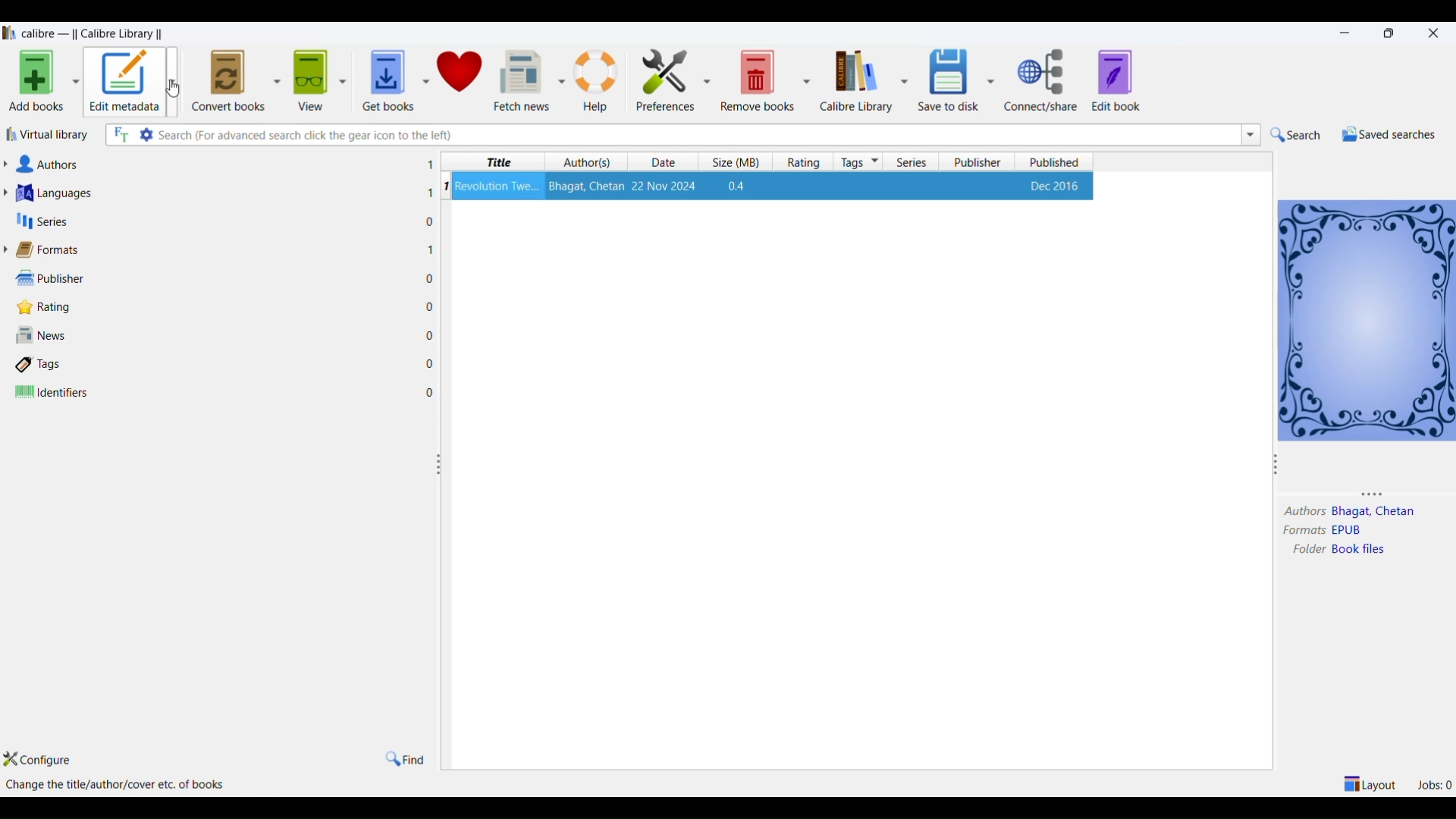 This screenshot has width=1456, height=819. I want to click on rating, so click(799, 162).